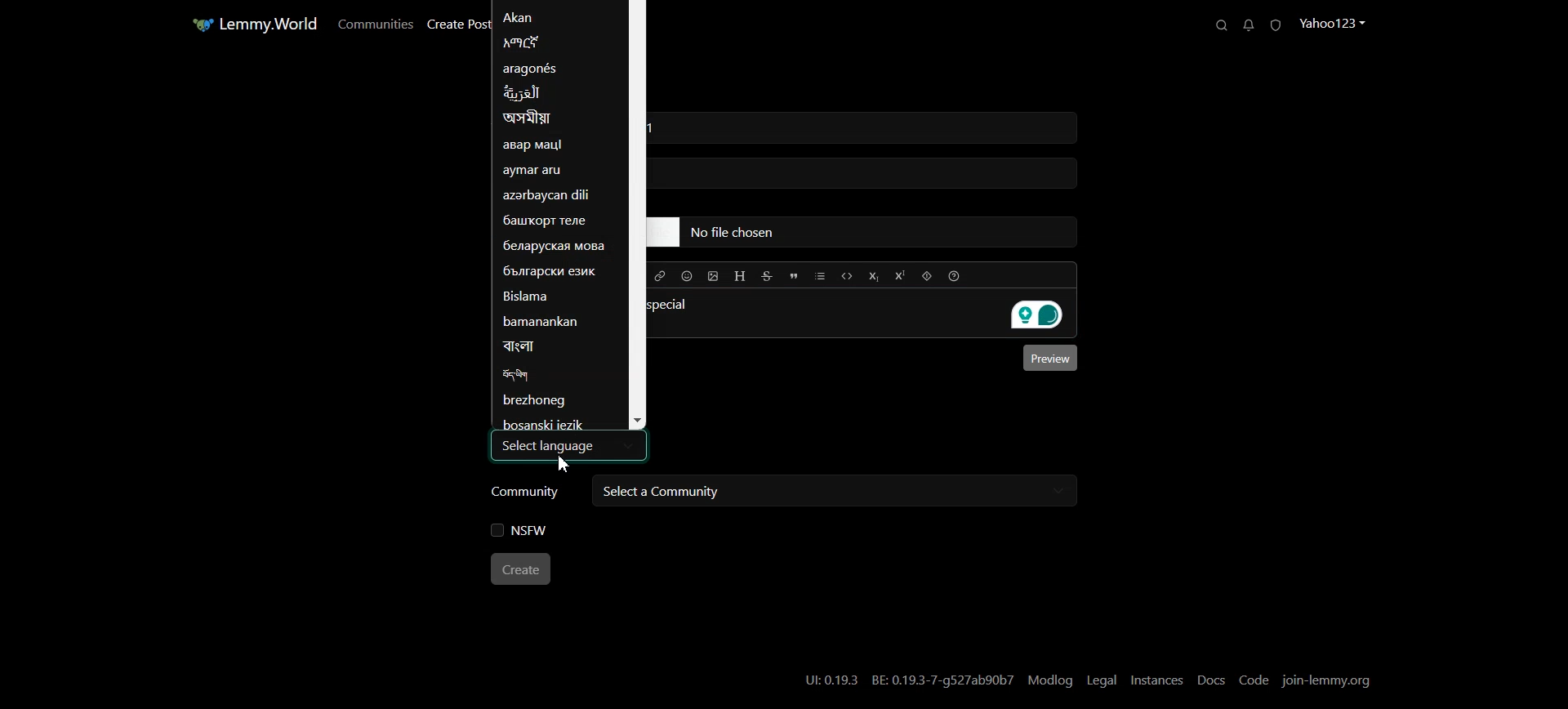 Image resolution: width=1568 pixels, height=709 pixels. Describe the element at coordinates (819, 276) in the screenshot. I see `List` at that location.